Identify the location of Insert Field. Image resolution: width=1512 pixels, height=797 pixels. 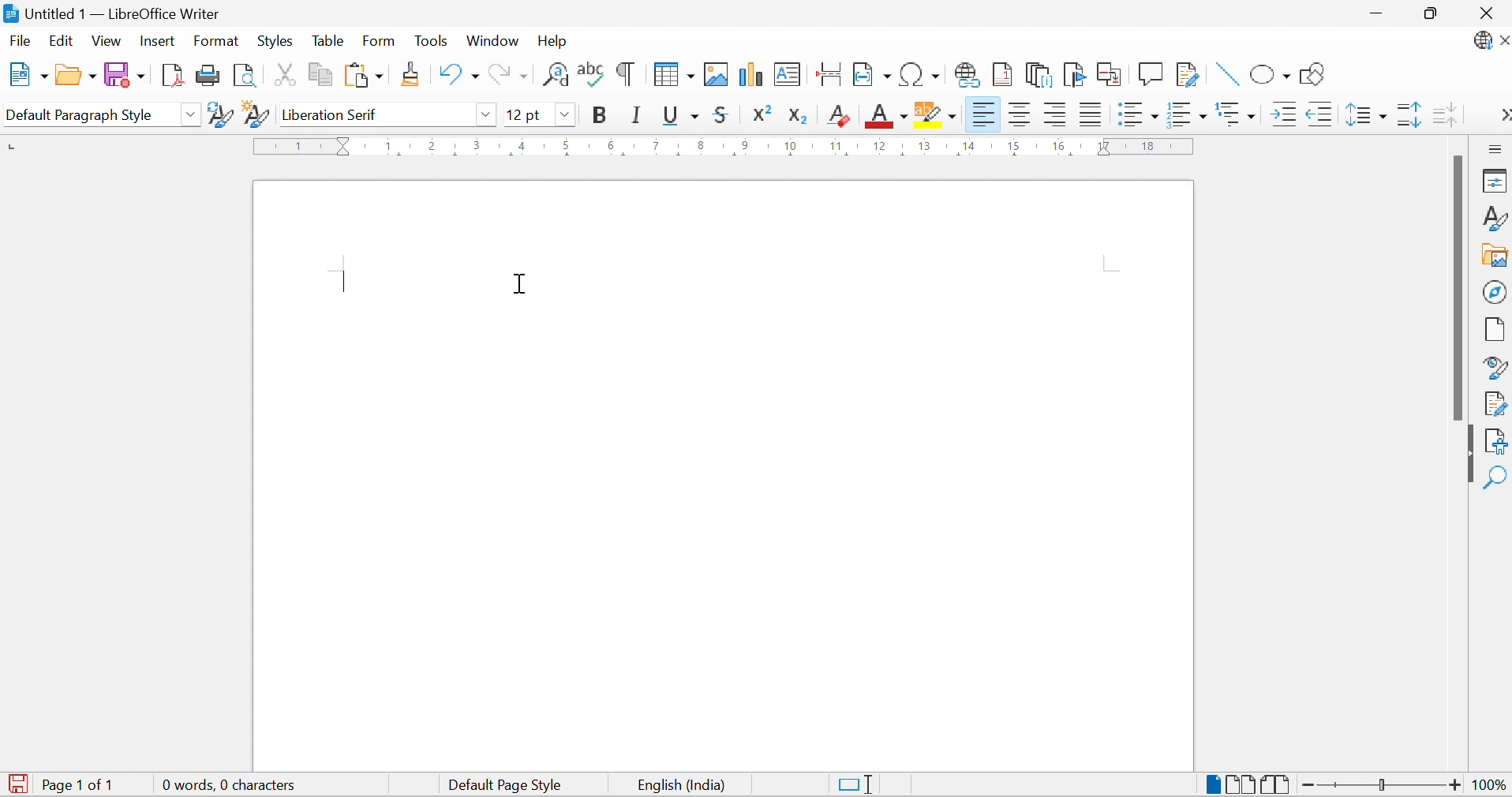
(871, 73).